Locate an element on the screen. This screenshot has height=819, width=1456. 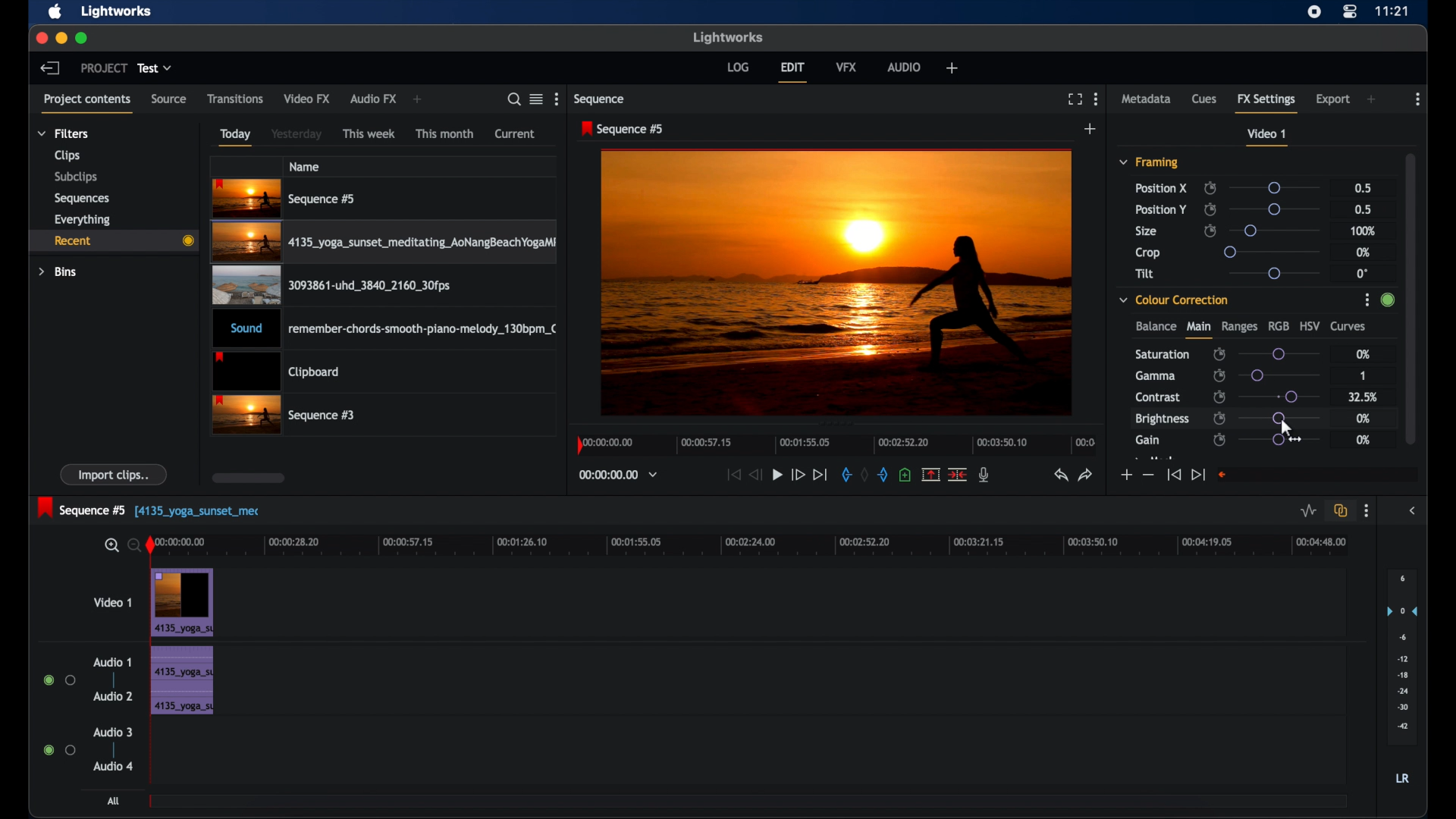
clips is located at coordinates (67, 156).